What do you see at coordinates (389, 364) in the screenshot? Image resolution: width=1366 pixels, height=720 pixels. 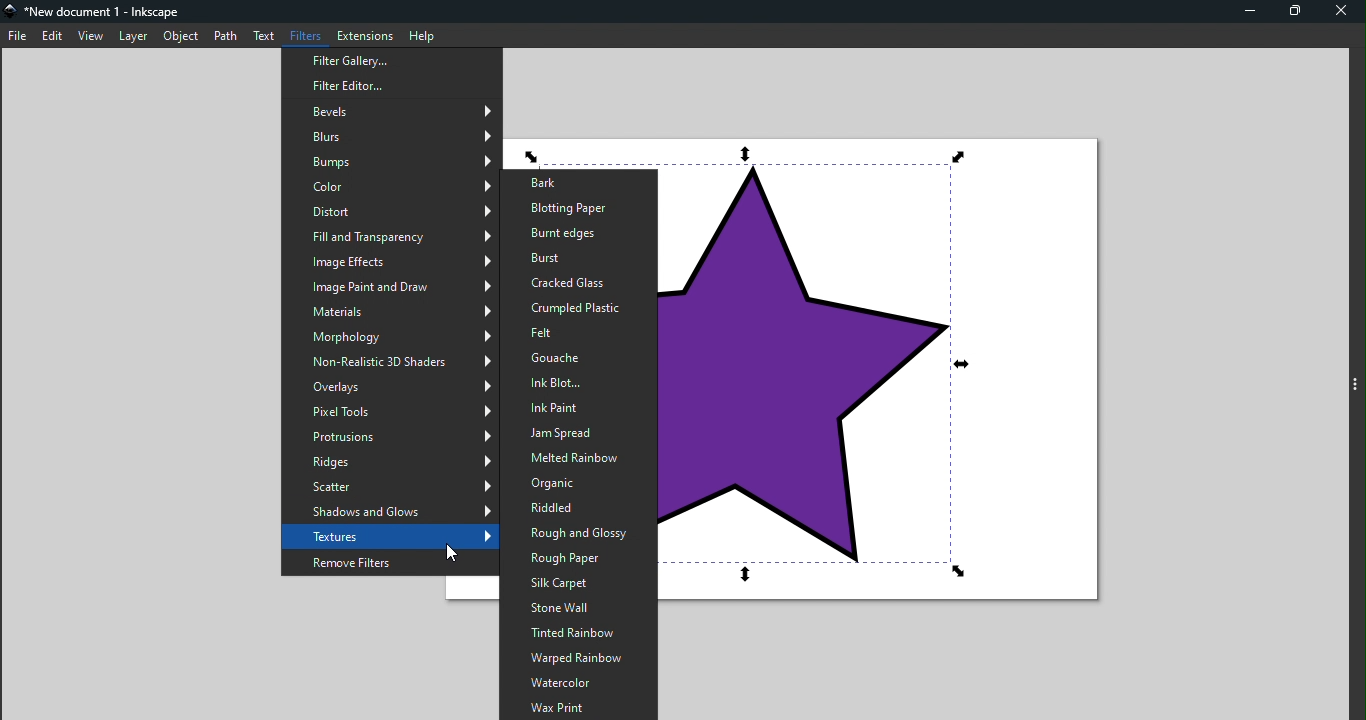 I see `Non-realistic 3D shades` at bounding box center [389, 364].